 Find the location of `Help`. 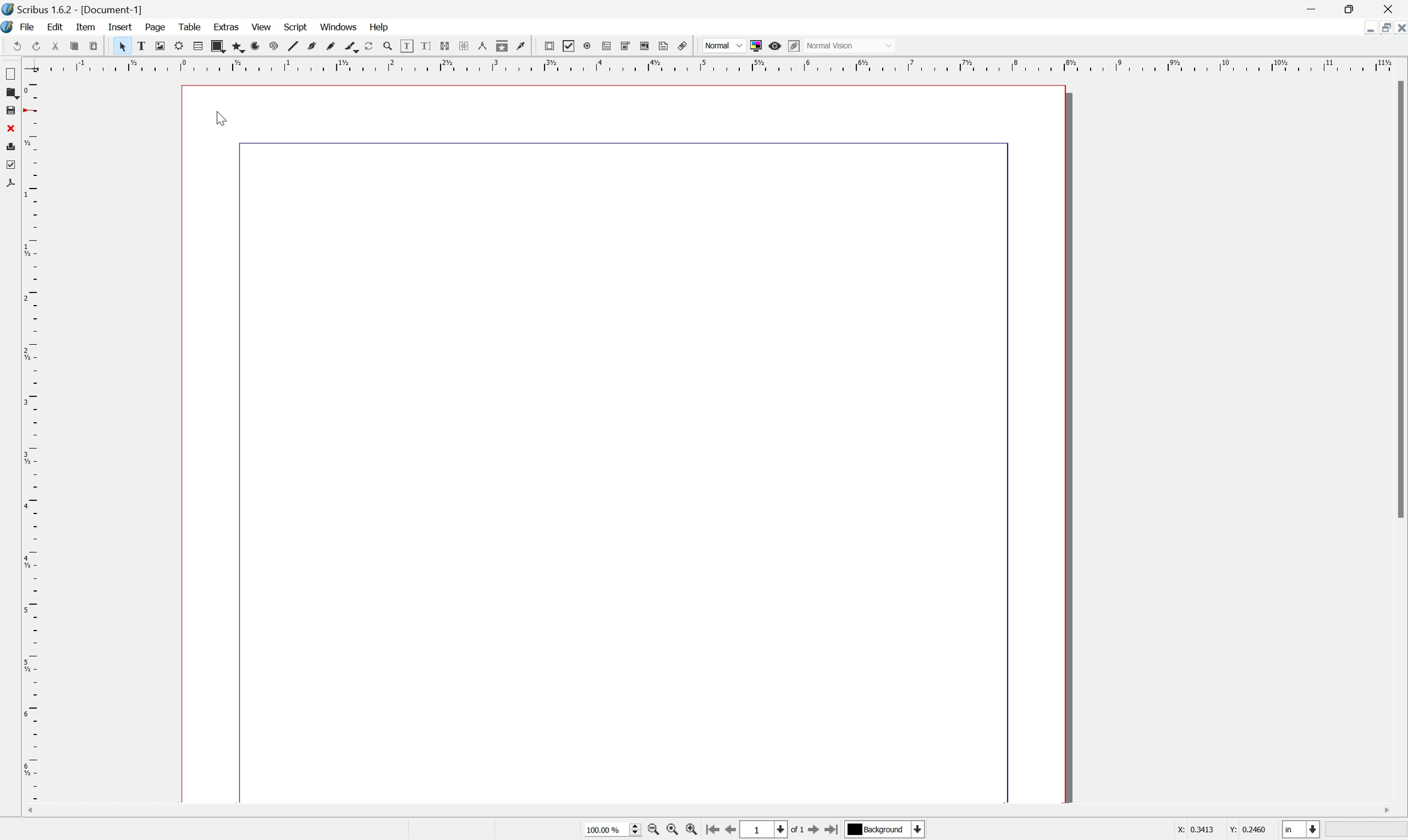

Help is located at coordinates (379, 28).